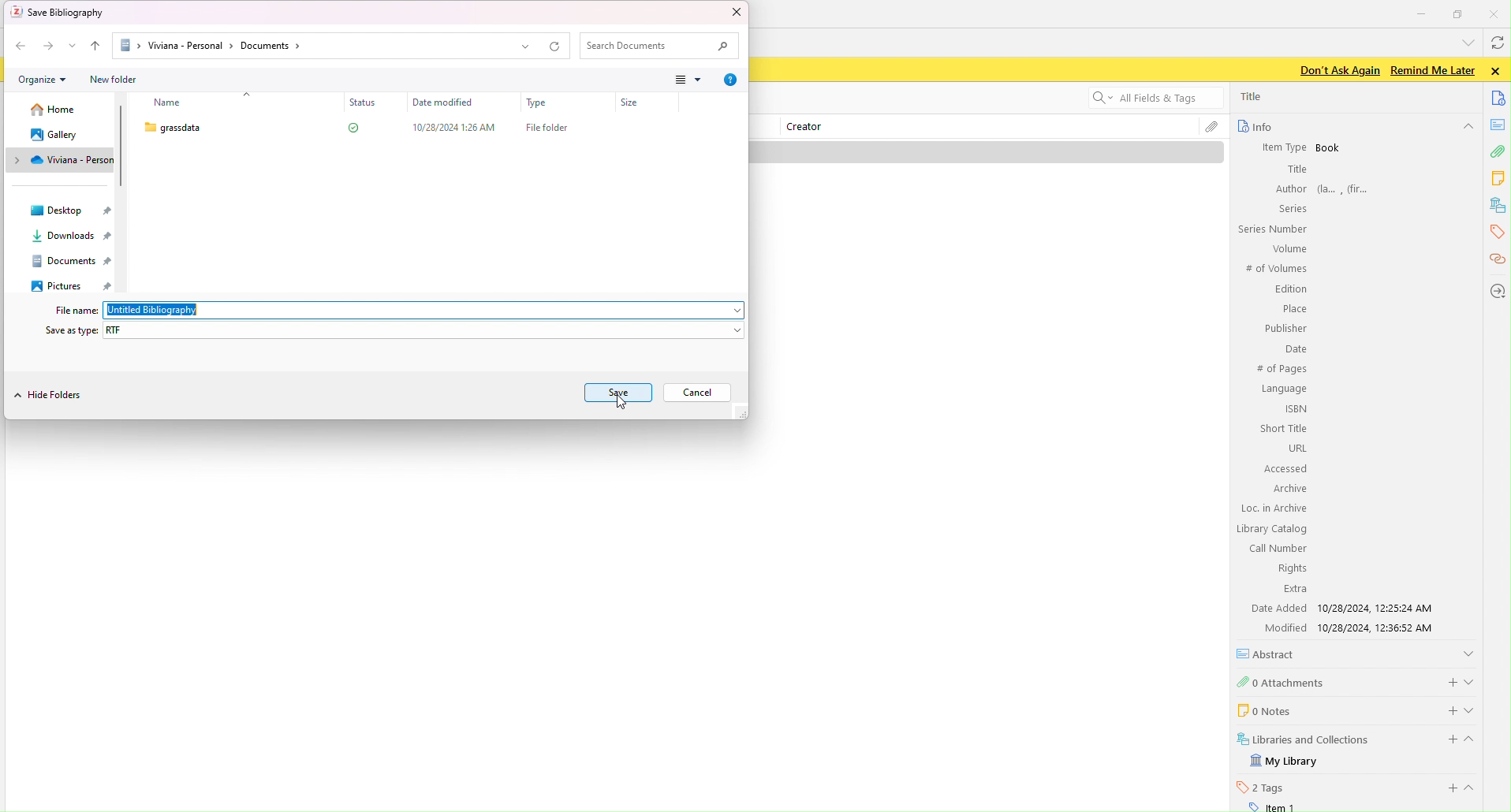 This screenshot has height=812, width=1511. Describe the element at coordinates (63, 12) in the screenshot. I see `Save bibliography` at that location.